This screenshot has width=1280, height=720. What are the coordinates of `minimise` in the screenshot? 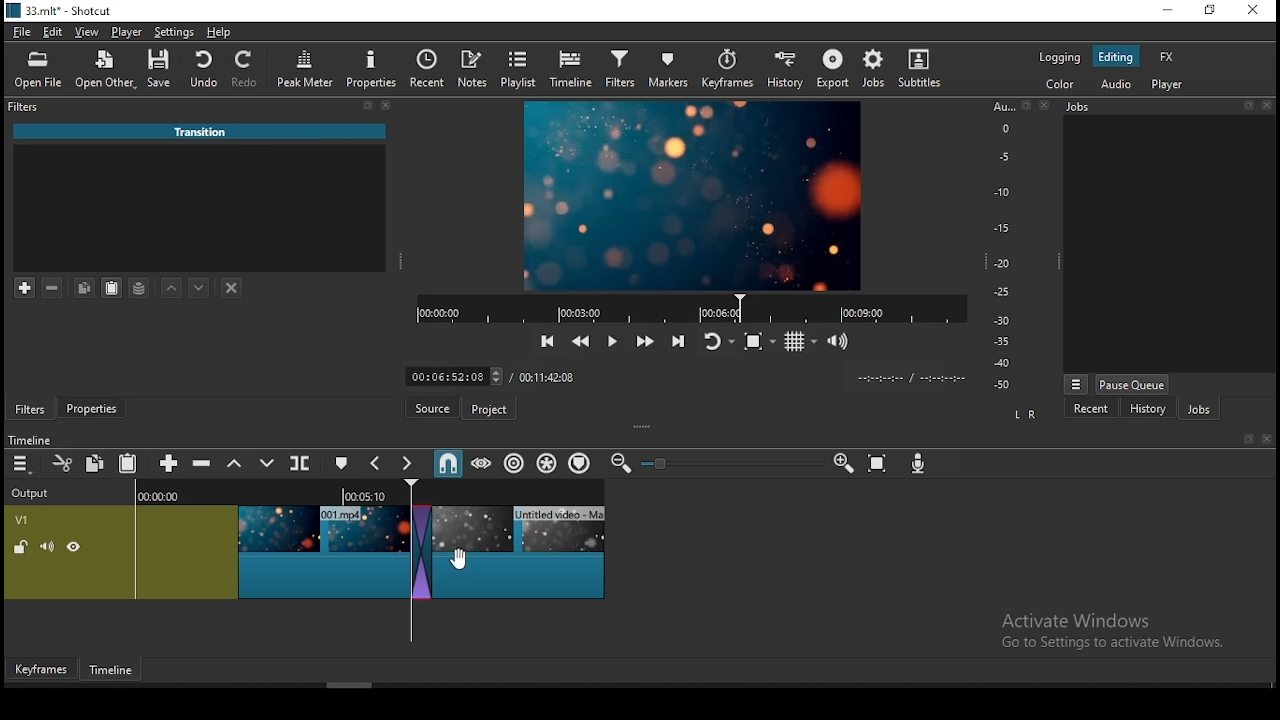 It's located at (1173, 11).